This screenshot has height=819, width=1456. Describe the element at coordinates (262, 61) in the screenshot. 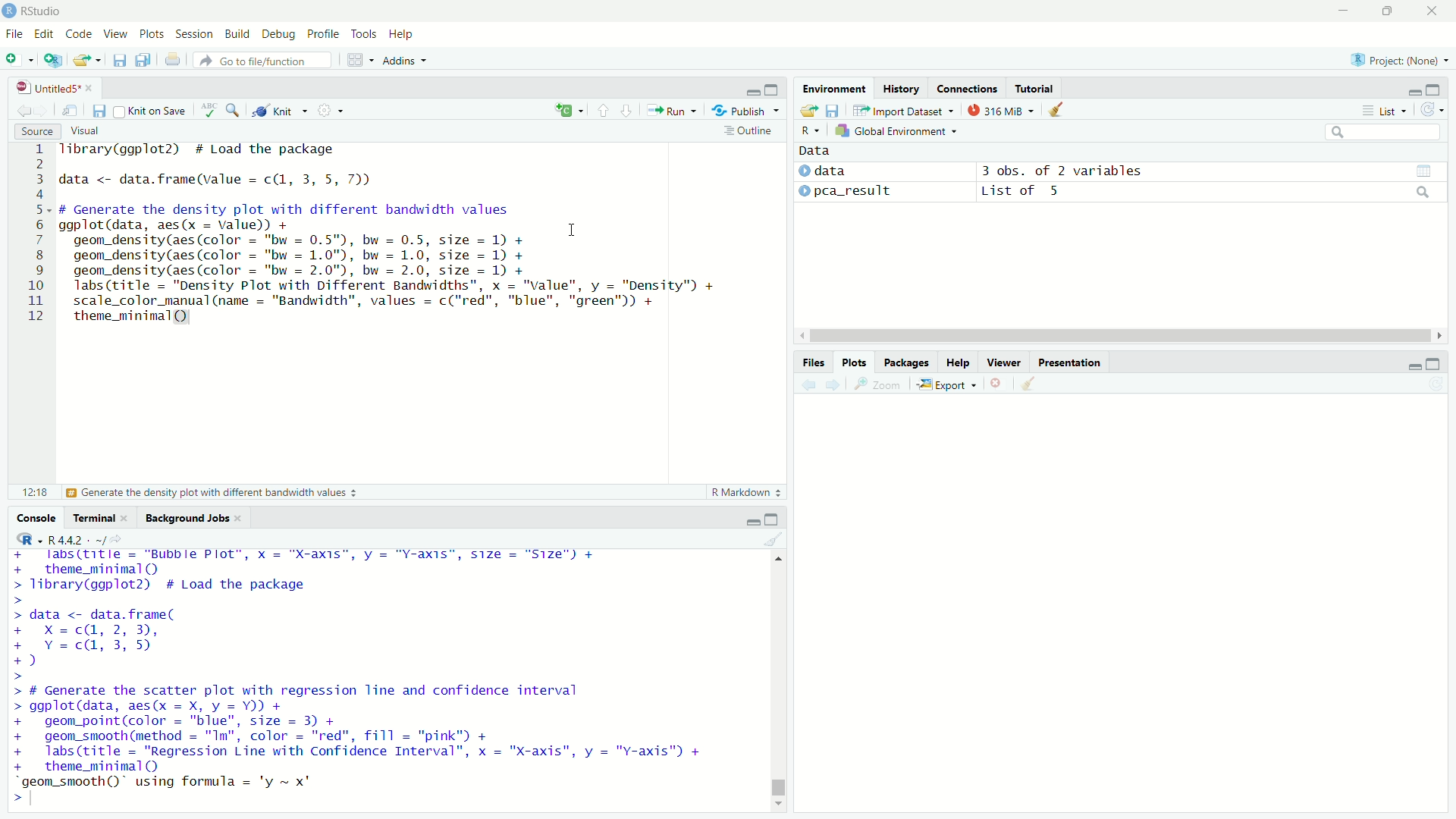

I see `Go to file/function` at that location.